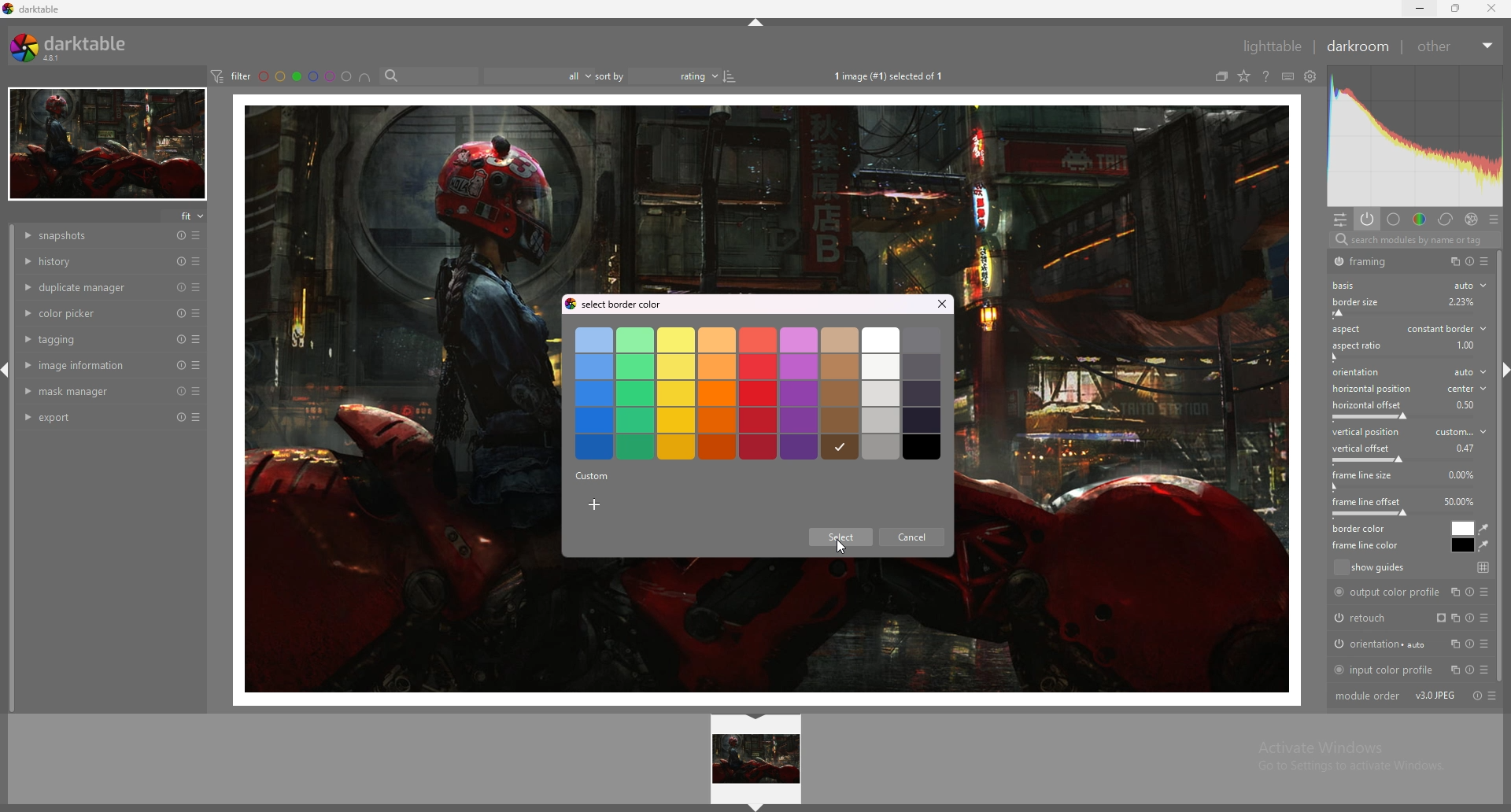  What do you see at coordinates (910, 540) in the screenshot?
I see `cancel` at bounding box center [910, 540].